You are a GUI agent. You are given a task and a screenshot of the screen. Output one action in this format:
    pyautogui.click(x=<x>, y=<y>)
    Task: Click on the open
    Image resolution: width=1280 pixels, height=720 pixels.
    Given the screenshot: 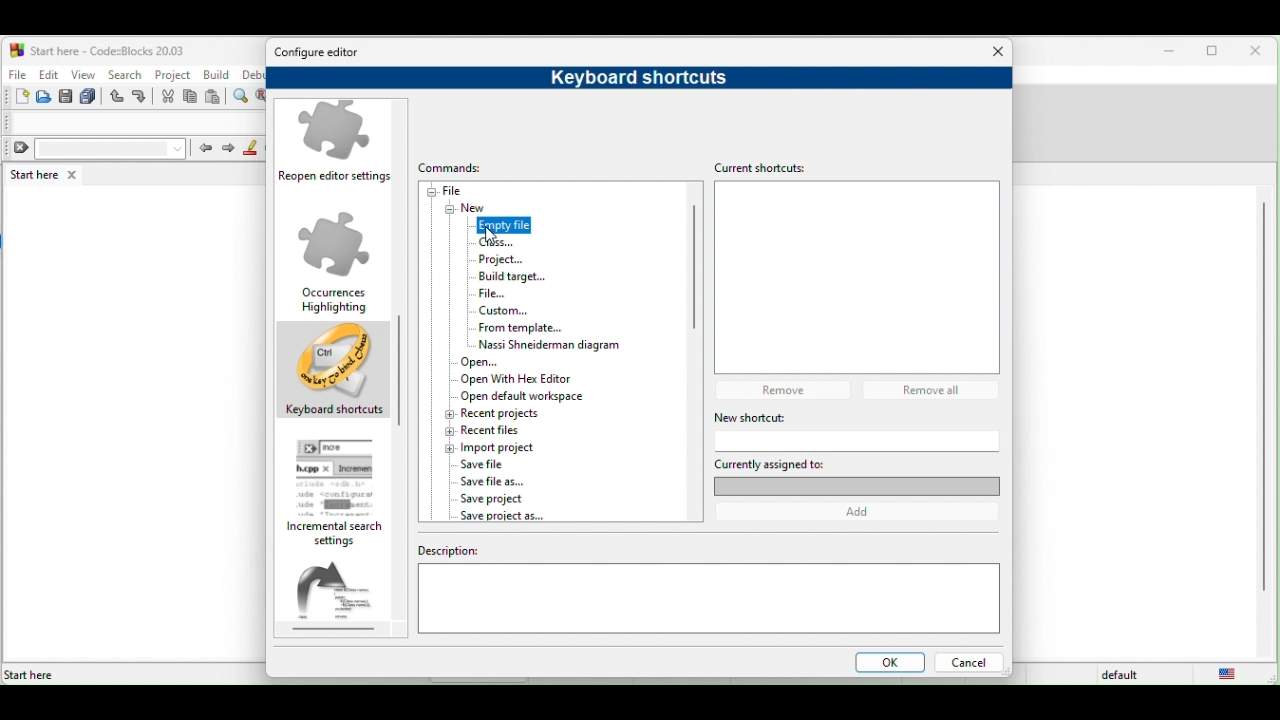 What is the action you would take?
    pyautogui.click(x=45, y=97)
    